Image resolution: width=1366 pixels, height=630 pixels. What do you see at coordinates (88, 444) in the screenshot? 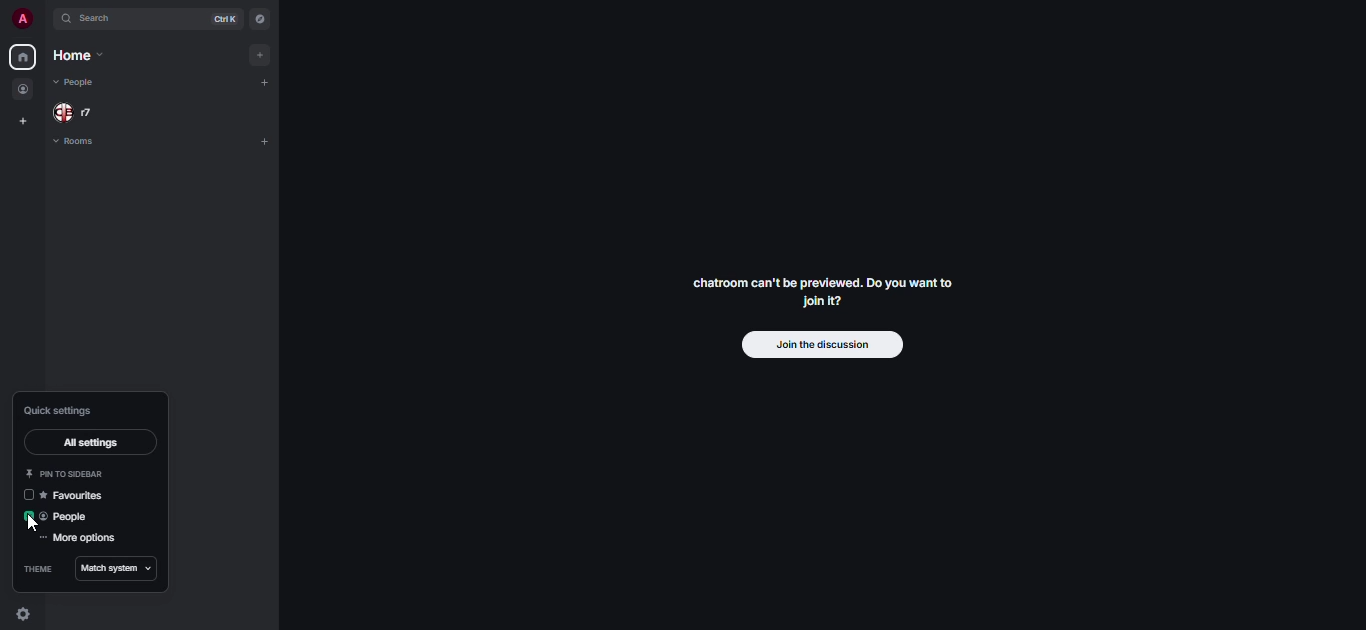
I see `all settings` at bounding box center [88, 444].